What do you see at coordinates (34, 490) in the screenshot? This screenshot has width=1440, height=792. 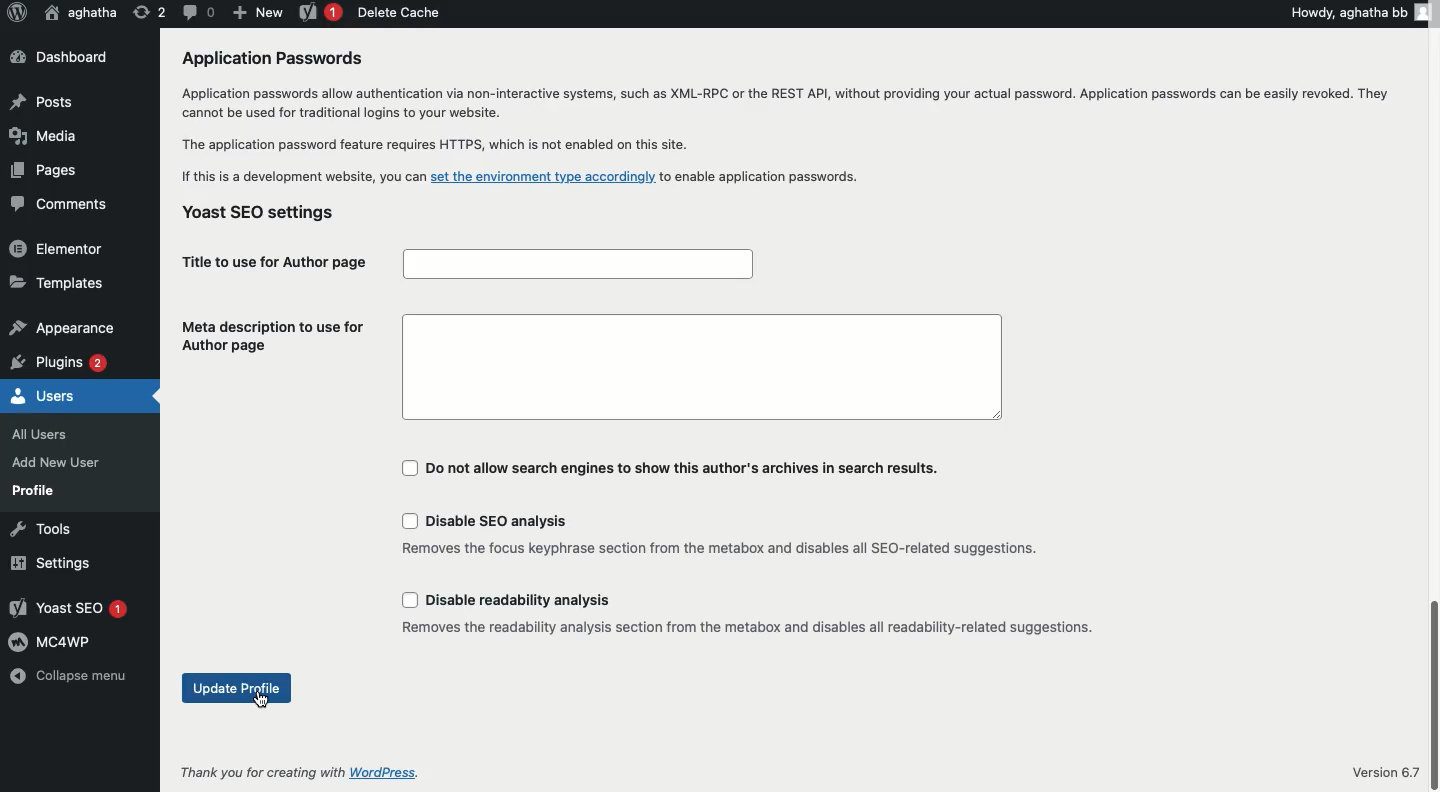 I see `Profile` at bounding box center [34, 490].